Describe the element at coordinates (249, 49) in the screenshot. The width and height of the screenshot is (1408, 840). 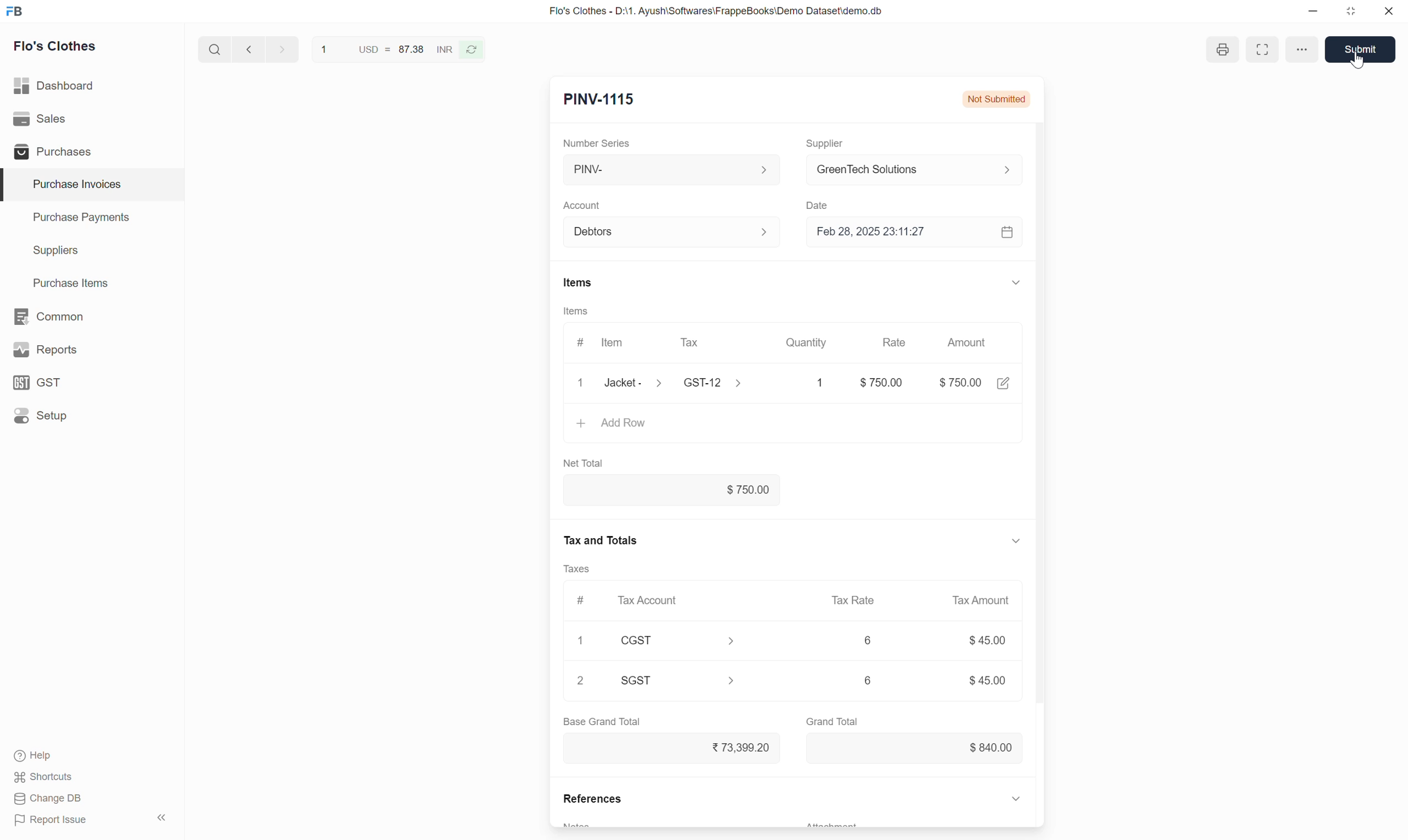
I see `Previous` at that location.